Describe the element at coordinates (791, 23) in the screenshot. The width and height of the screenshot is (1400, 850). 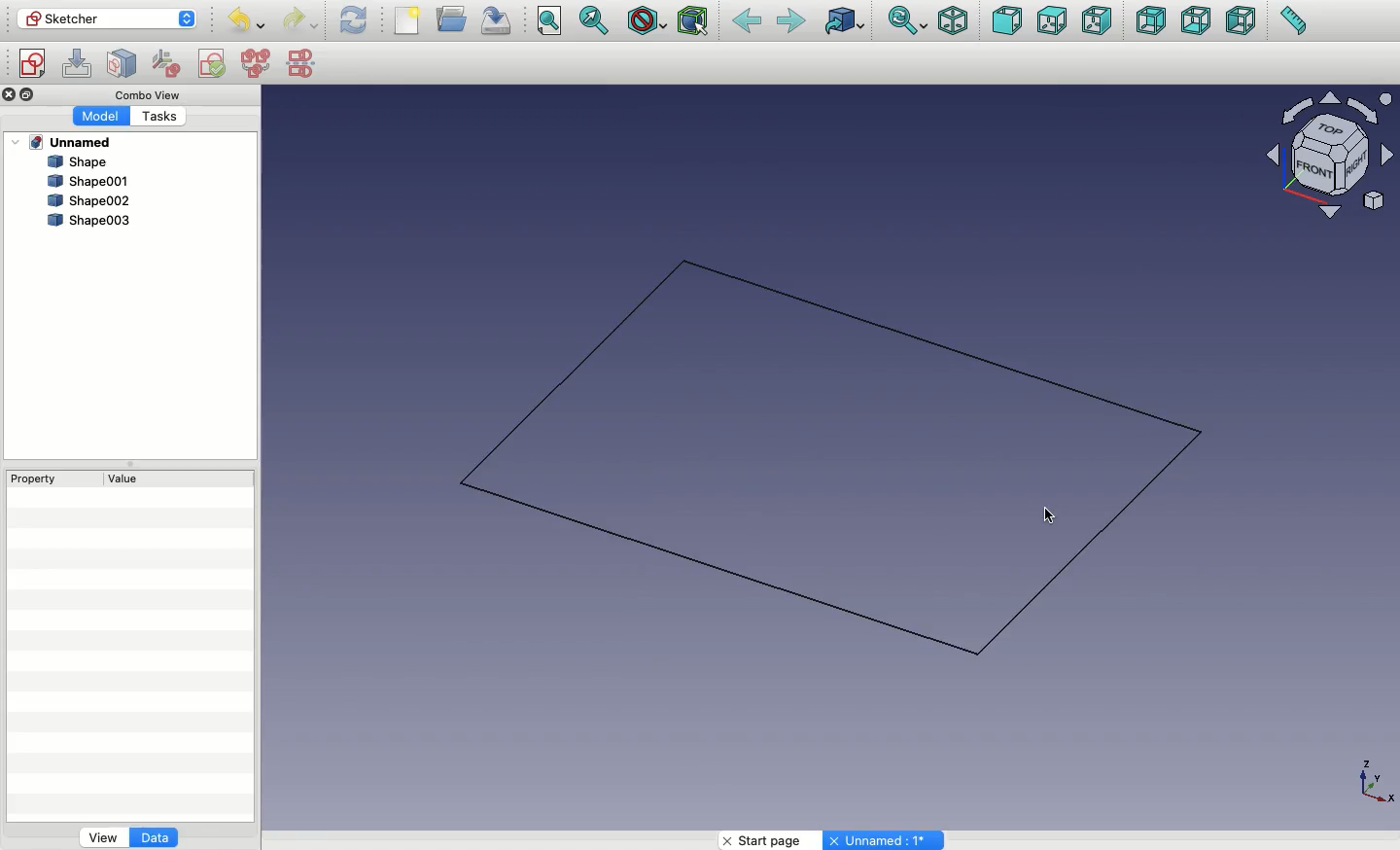
I see `Forward` at that location.